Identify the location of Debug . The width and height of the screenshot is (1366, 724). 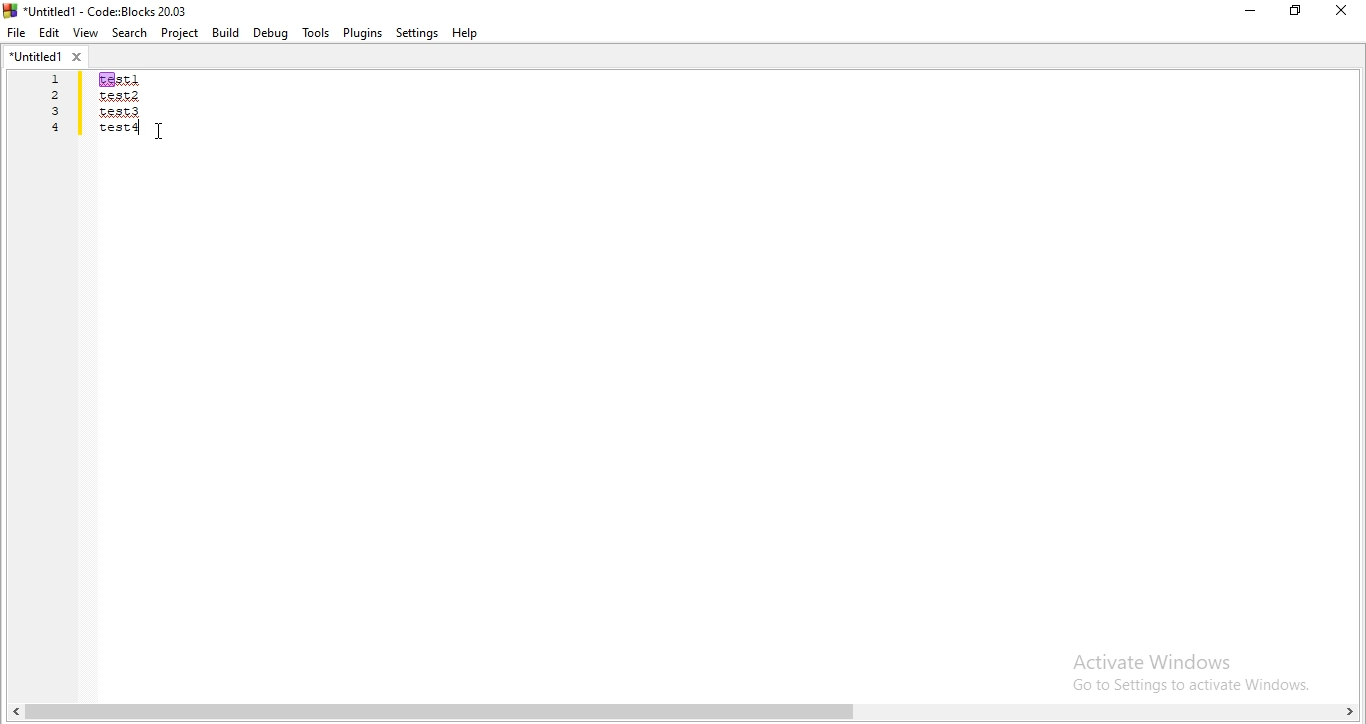
(269, 31).